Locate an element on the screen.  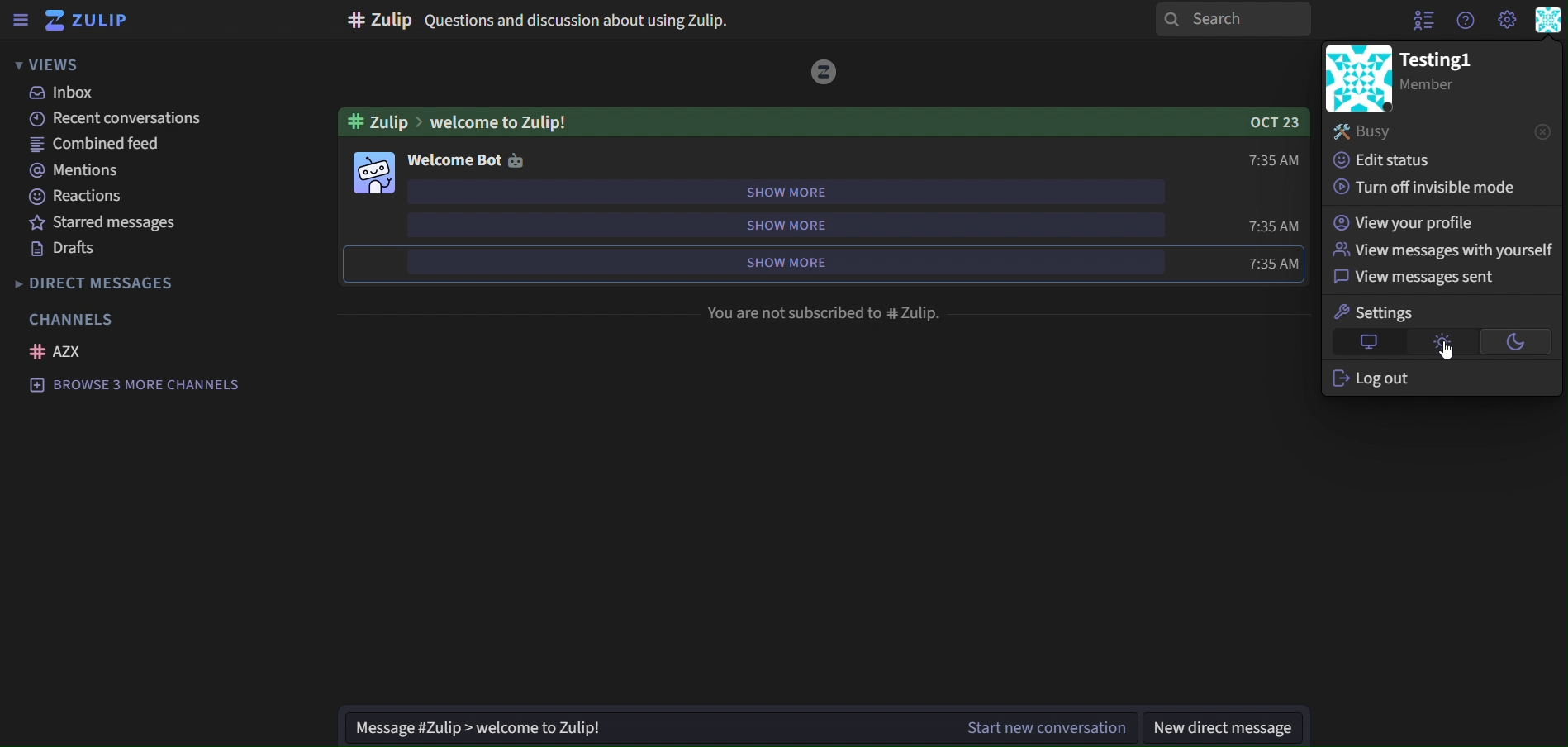
zulip is located at coordinates (86, 19).